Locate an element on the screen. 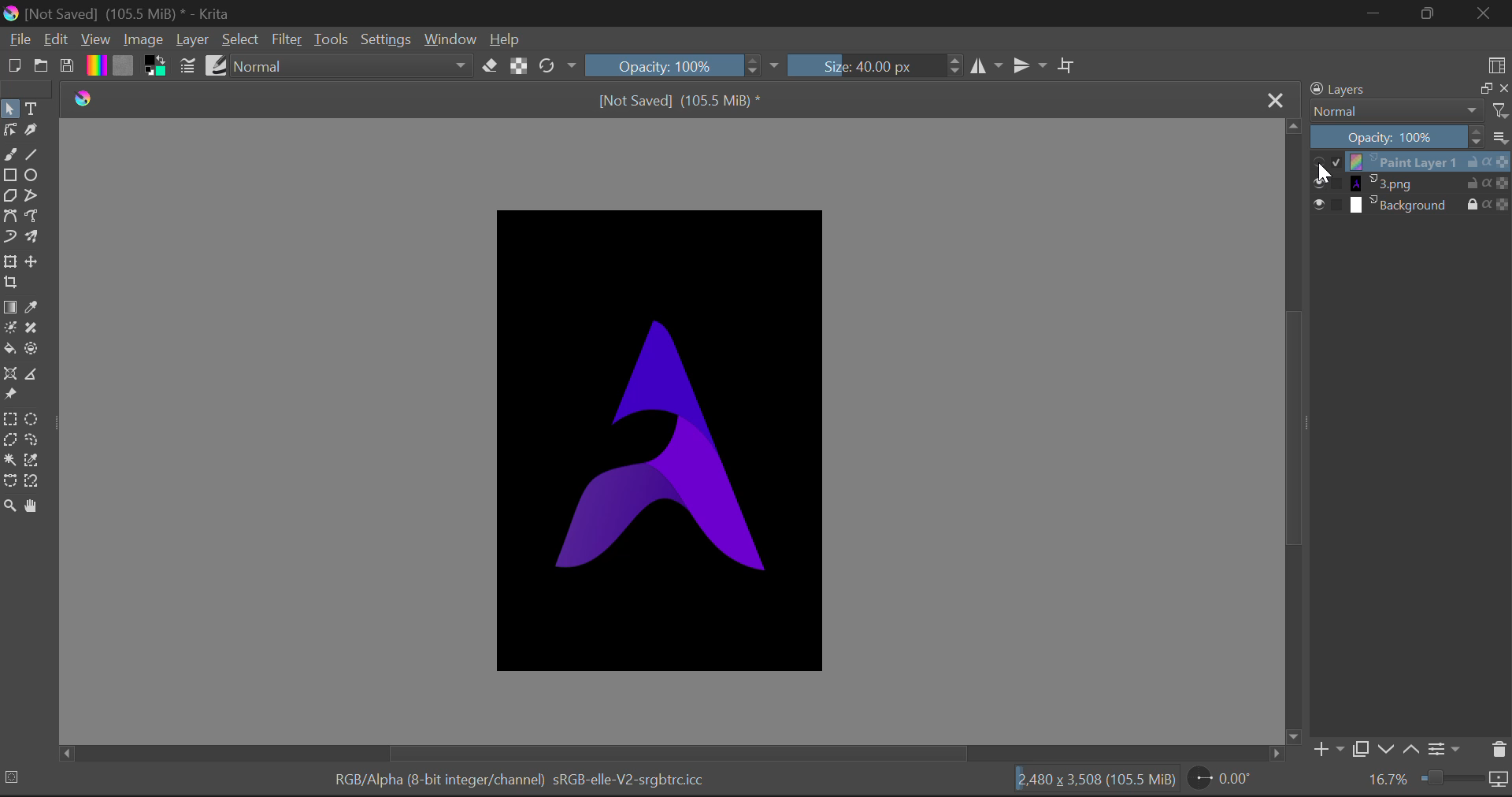 This screenshot has height=797, width=1512. show or hide layer is located at coordinates (1327, 184).